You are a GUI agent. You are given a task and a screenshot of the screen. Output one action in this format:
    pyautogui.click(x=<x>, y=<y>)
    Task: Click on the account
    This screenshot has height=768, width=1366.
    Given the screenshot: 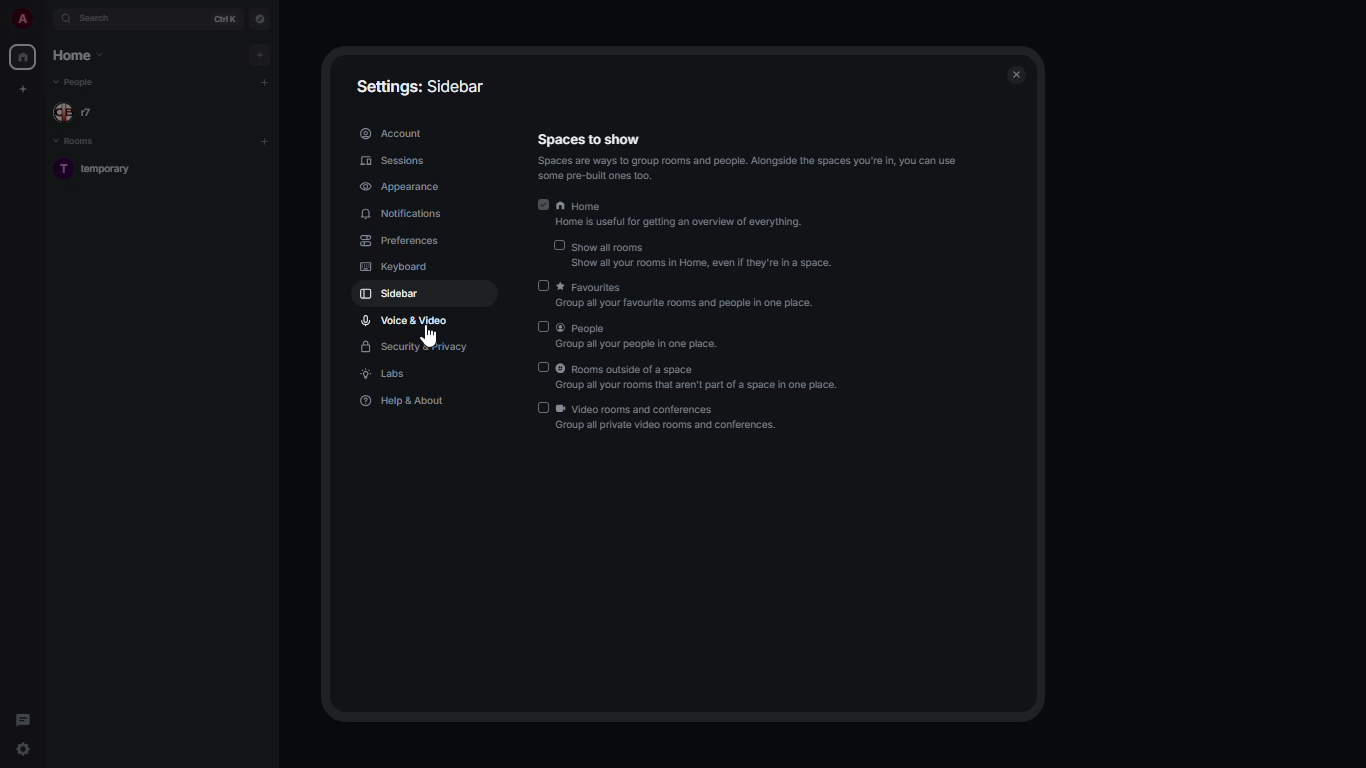 What is the action you would take?
    pyautogui.click(x=392, y=133)
    